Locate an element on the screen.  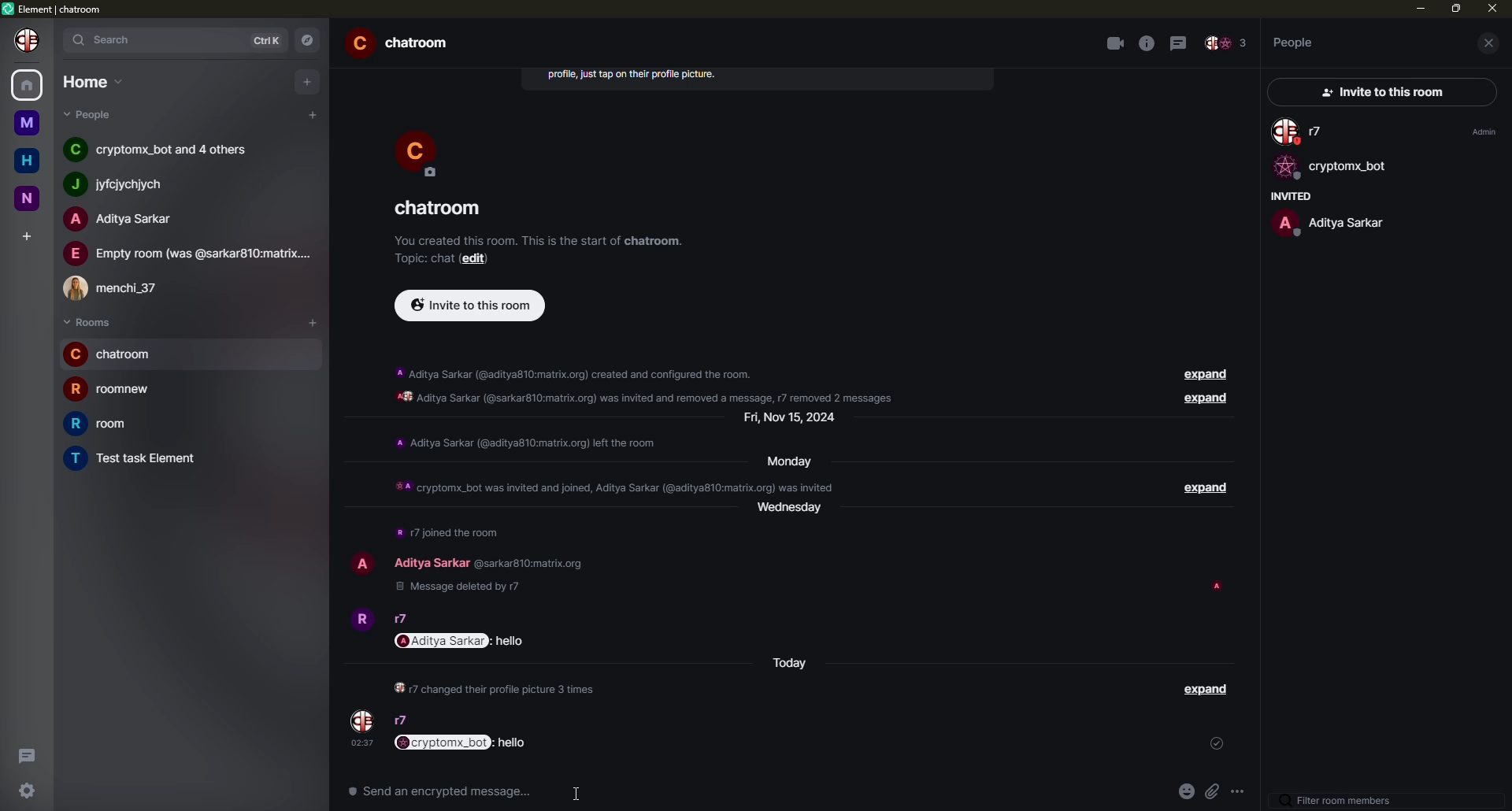
profile is located at coordinates (362, 564).